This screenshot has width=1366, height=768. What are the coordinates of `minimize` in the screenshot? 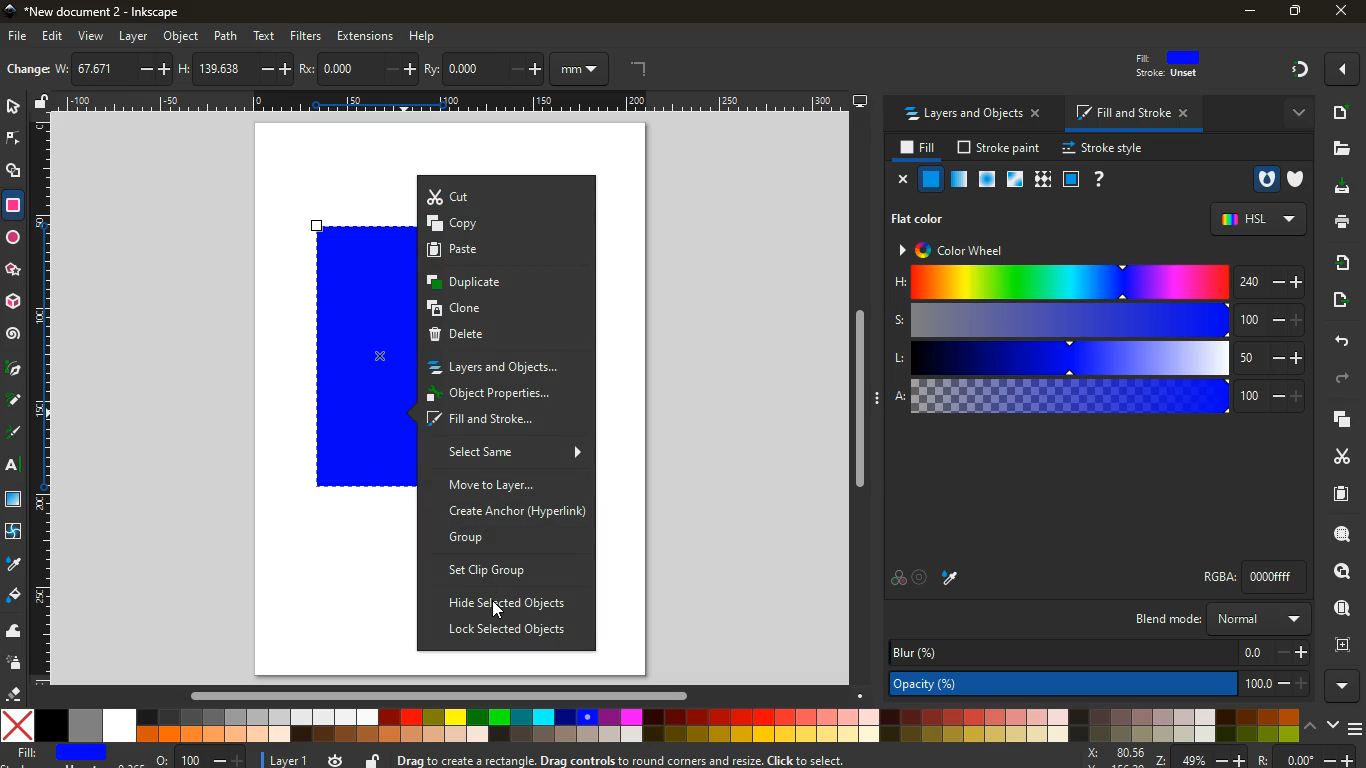 It's located at (1248, 12).